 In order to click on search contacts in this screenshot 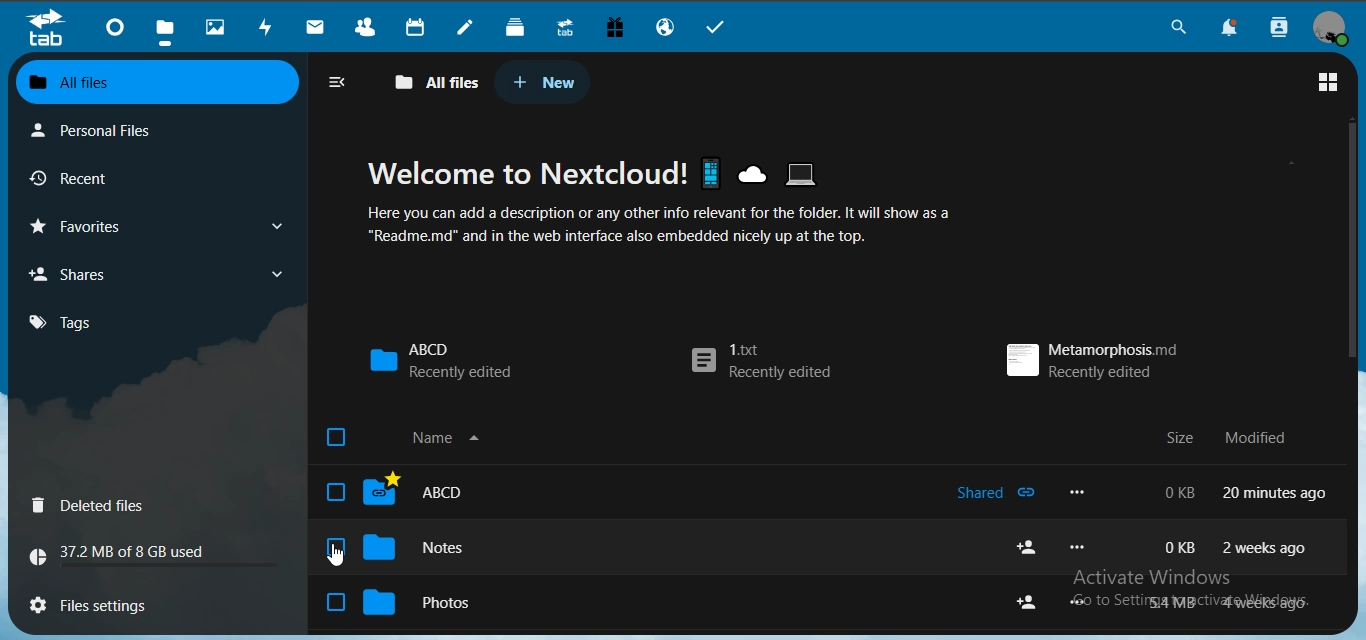, I will do `click(1276, 29)`.